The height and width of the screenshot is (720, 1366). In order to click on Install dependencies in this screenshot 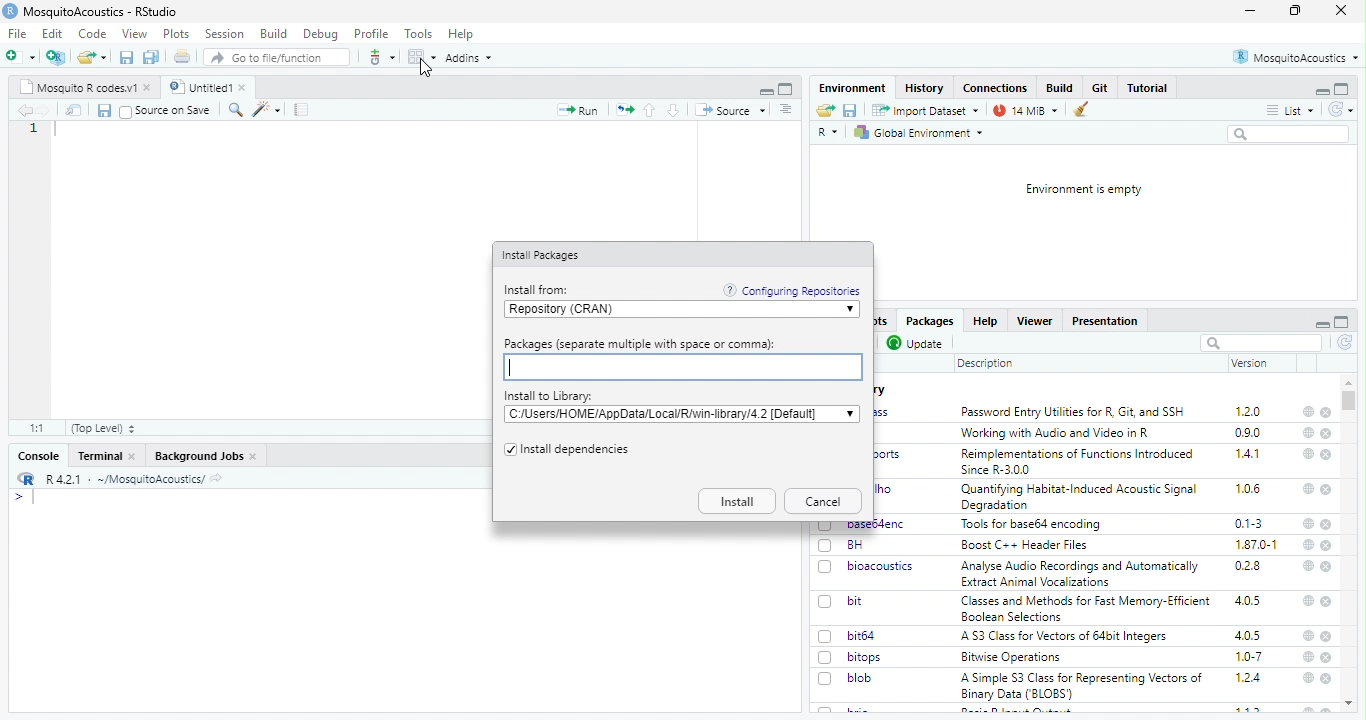, I will do `click(577, 451)`.